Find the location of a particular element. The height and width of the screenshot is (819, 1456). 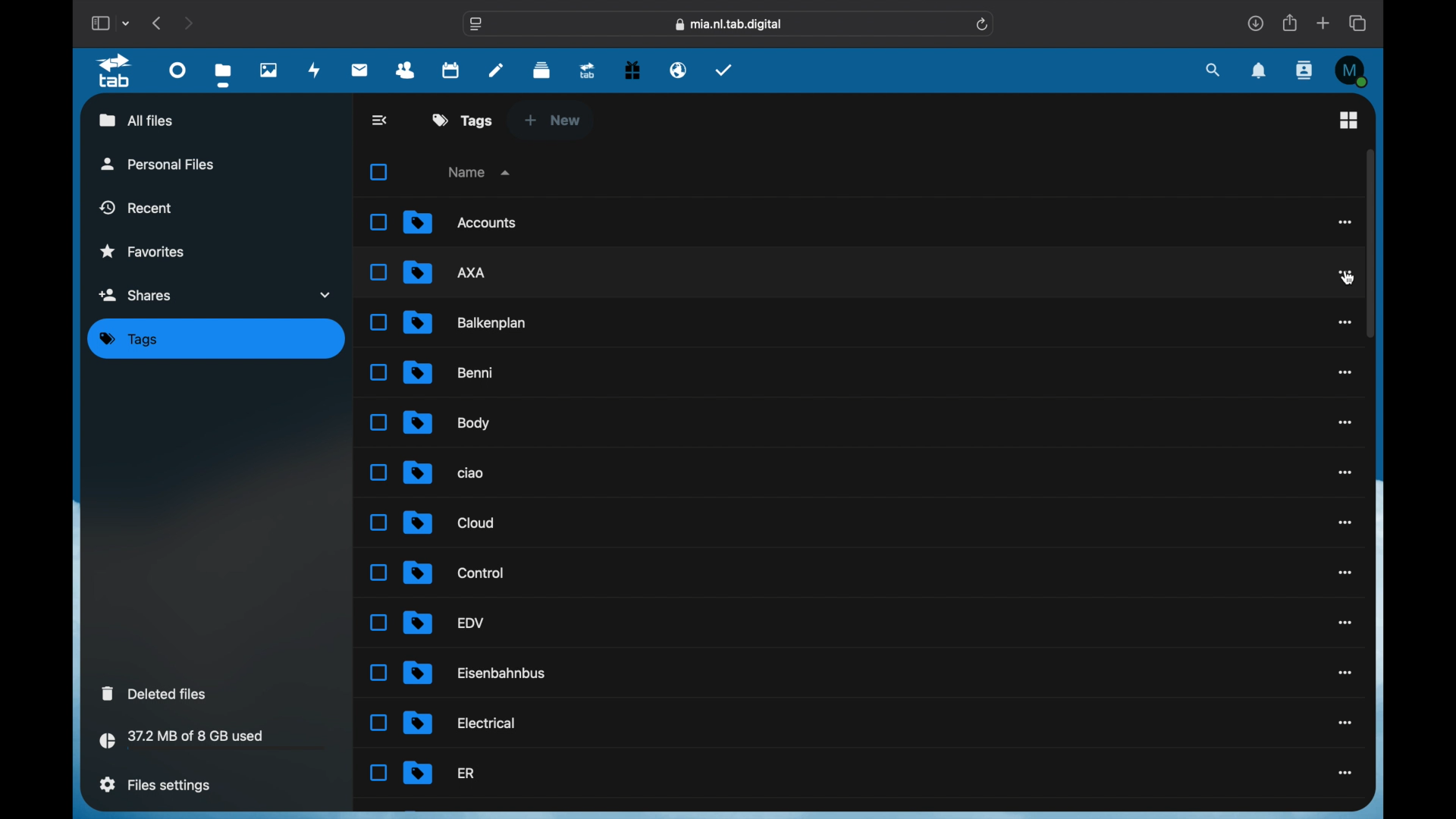

search is located at coordinates (1213, 70).